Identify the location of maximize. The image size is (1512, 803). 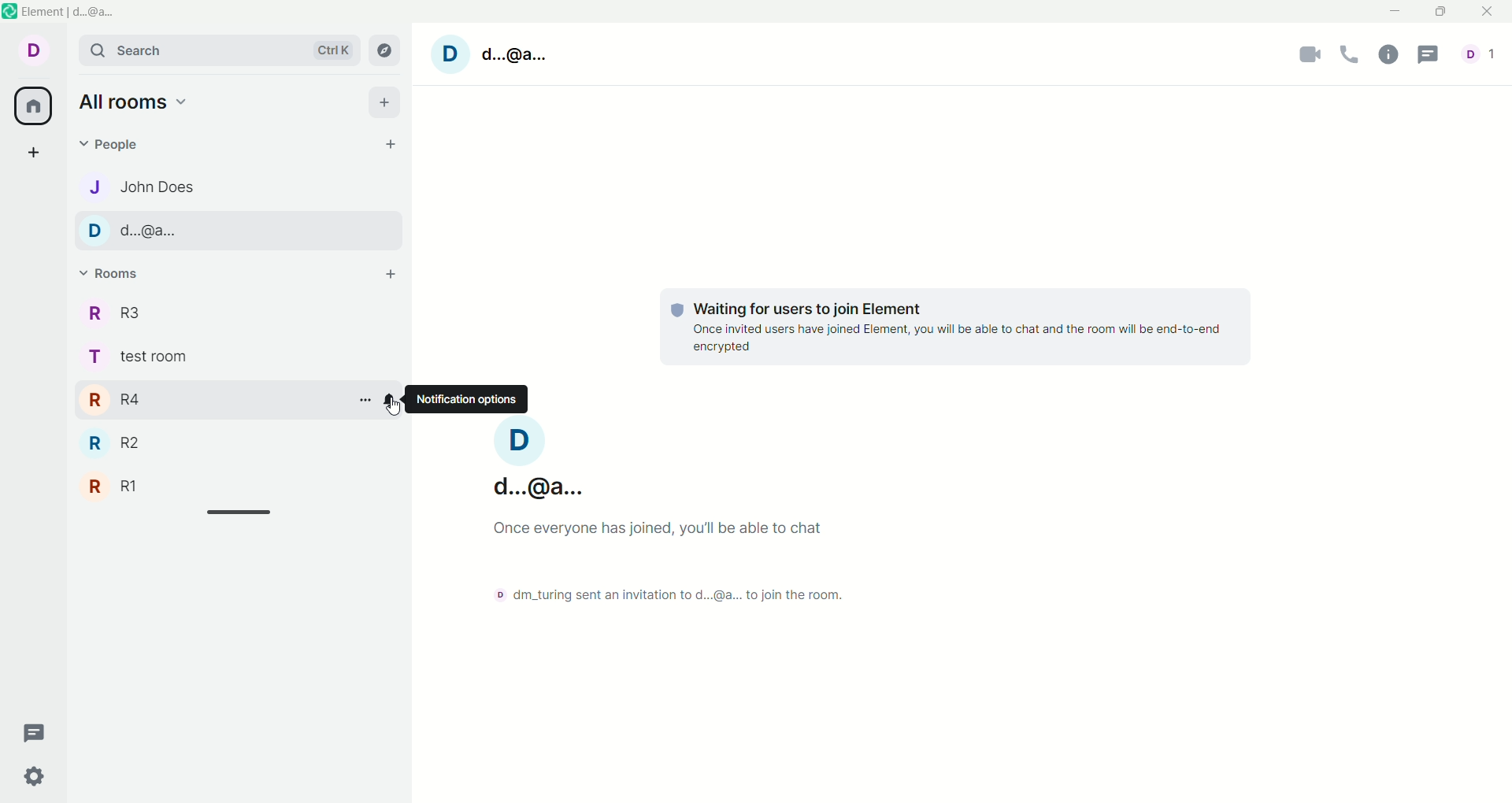
(1442, 13).